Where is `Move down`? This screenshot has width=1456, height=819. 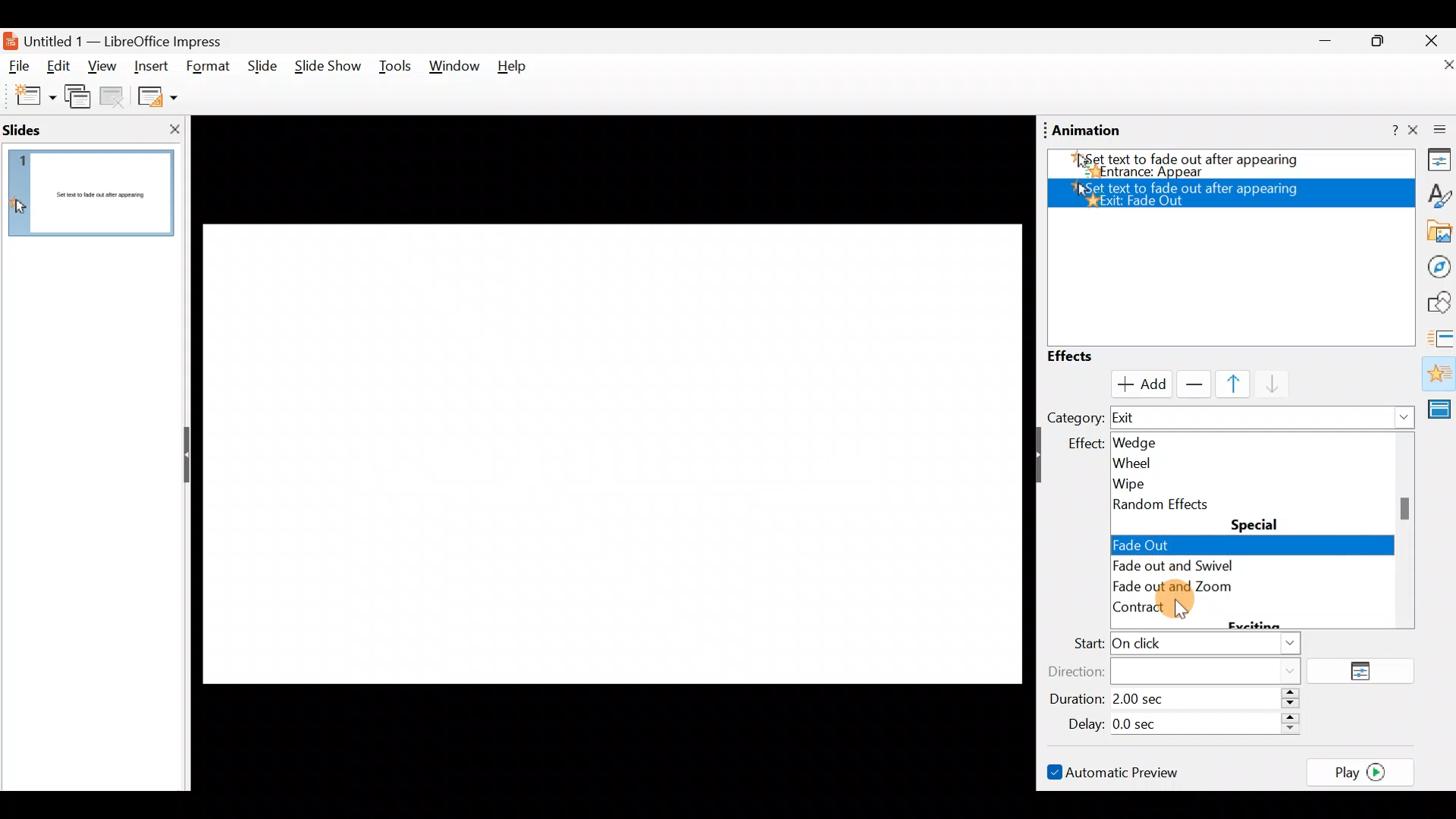
Move down is located at coordinates (1266, 385).